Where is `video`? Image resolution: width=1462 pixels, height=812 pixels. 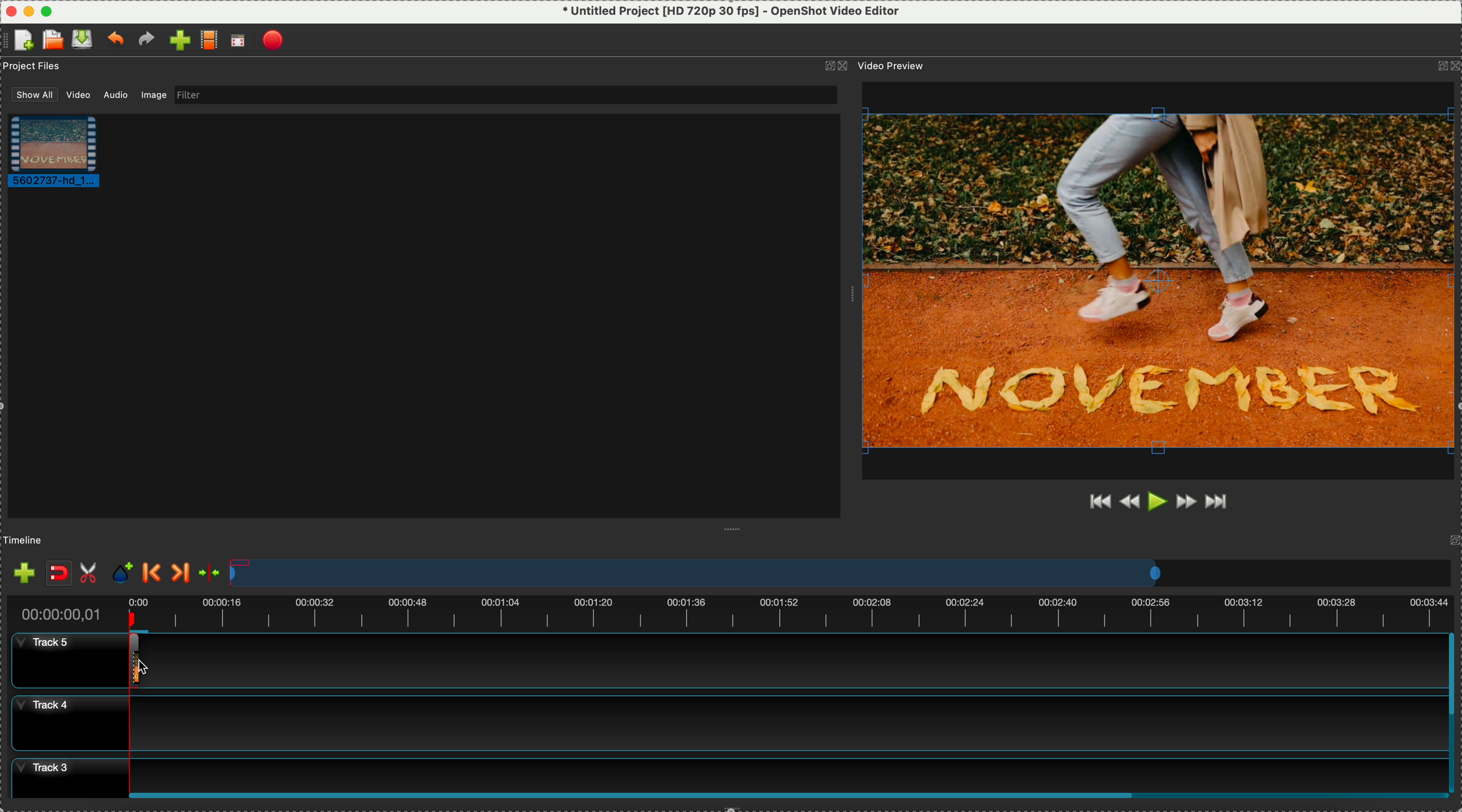 video is located at coordinates (77, 95).